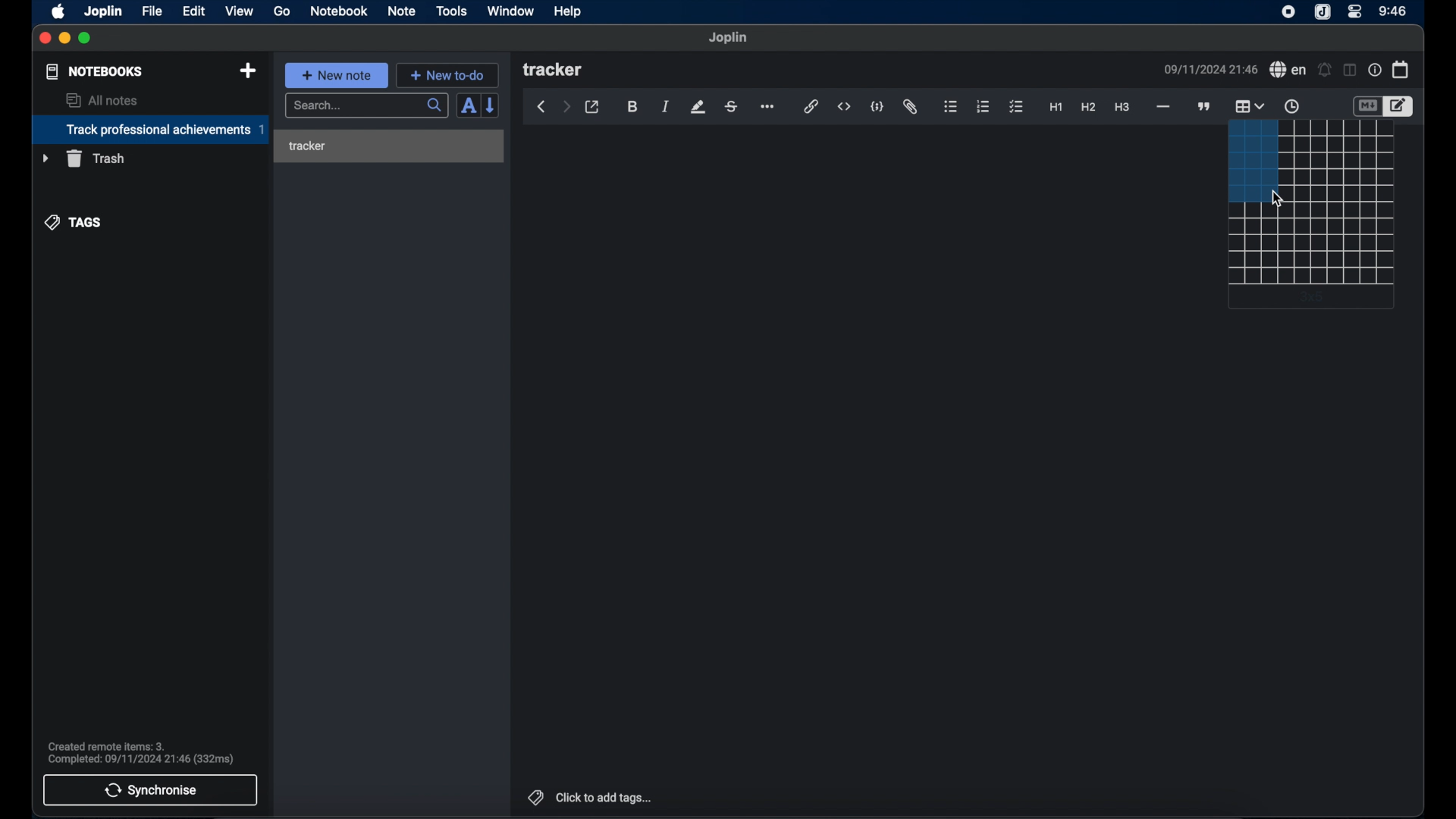  I want to click on tools, so click(452, 11).